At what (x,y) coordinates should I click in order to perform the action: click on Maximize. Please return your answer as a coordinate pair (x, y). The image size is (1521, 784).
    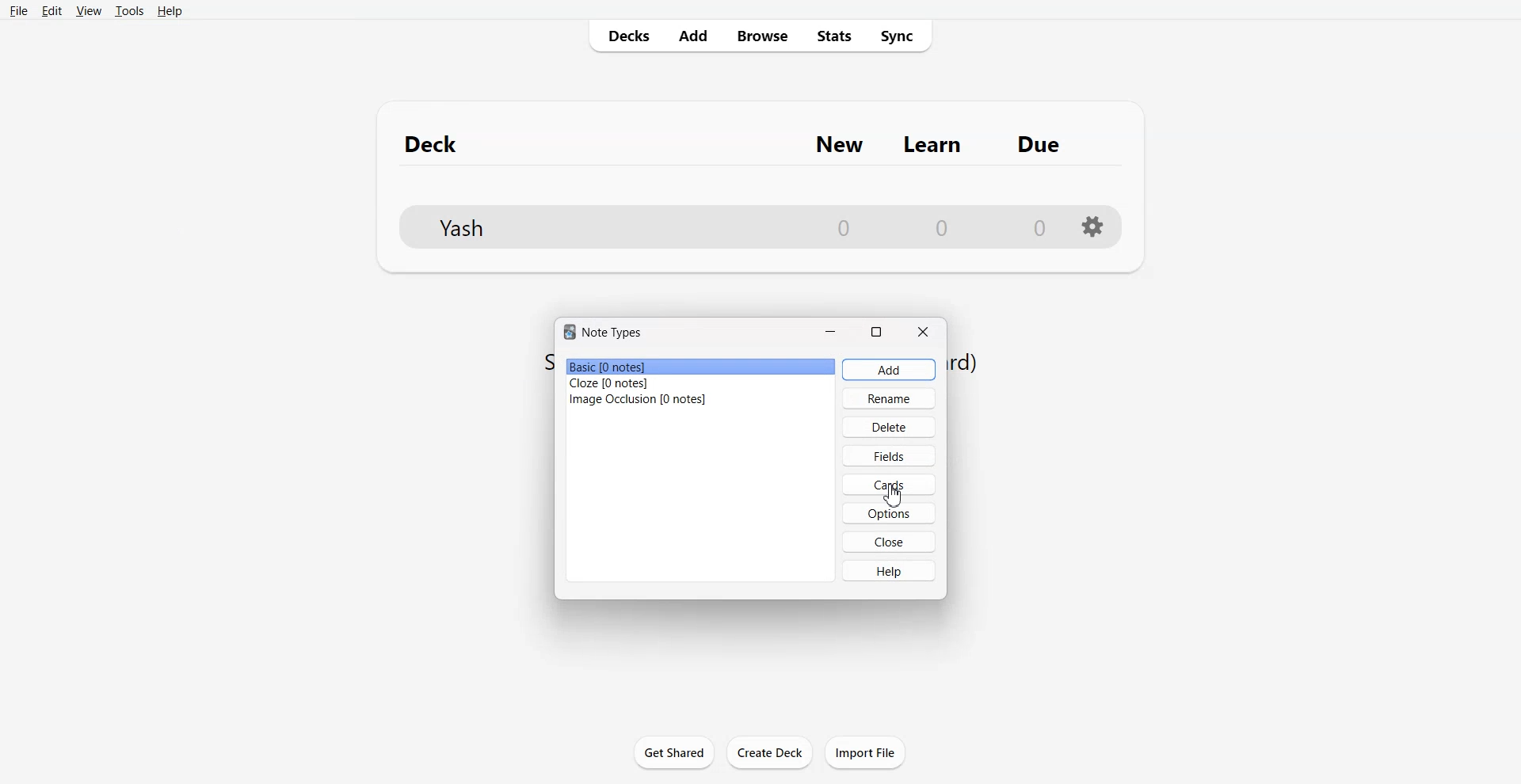
    Looking at the image, I should click on (875, 330).